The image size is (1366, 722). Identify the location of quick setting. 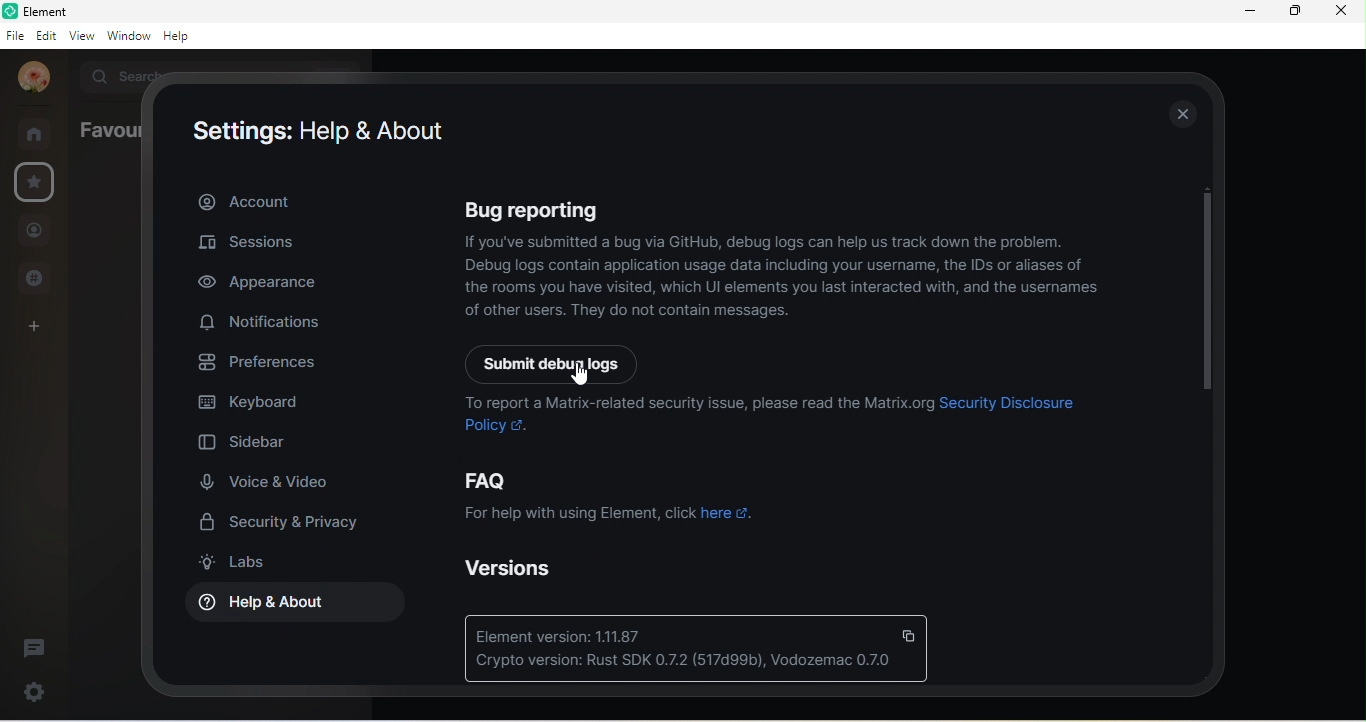
(35, 688).